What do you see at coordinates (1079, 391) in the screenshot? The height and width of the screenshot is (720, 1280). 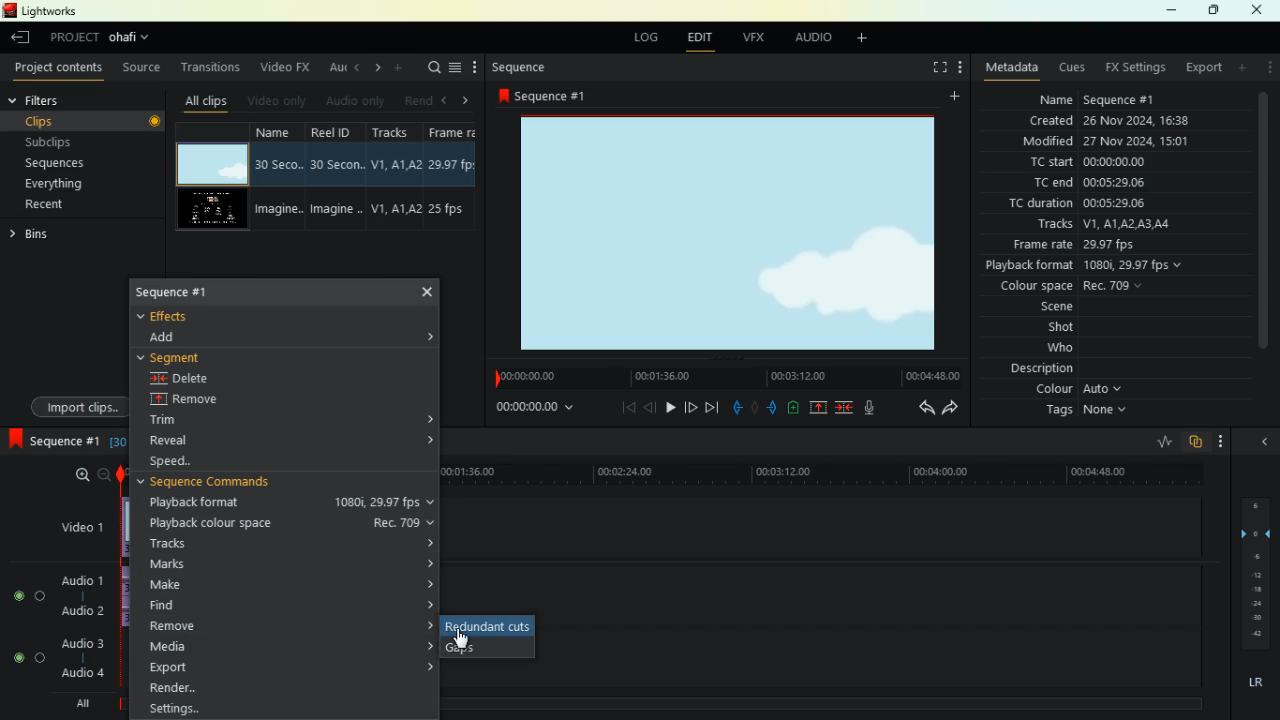 I see `colour Auto` at bounding box center [1079, 391].